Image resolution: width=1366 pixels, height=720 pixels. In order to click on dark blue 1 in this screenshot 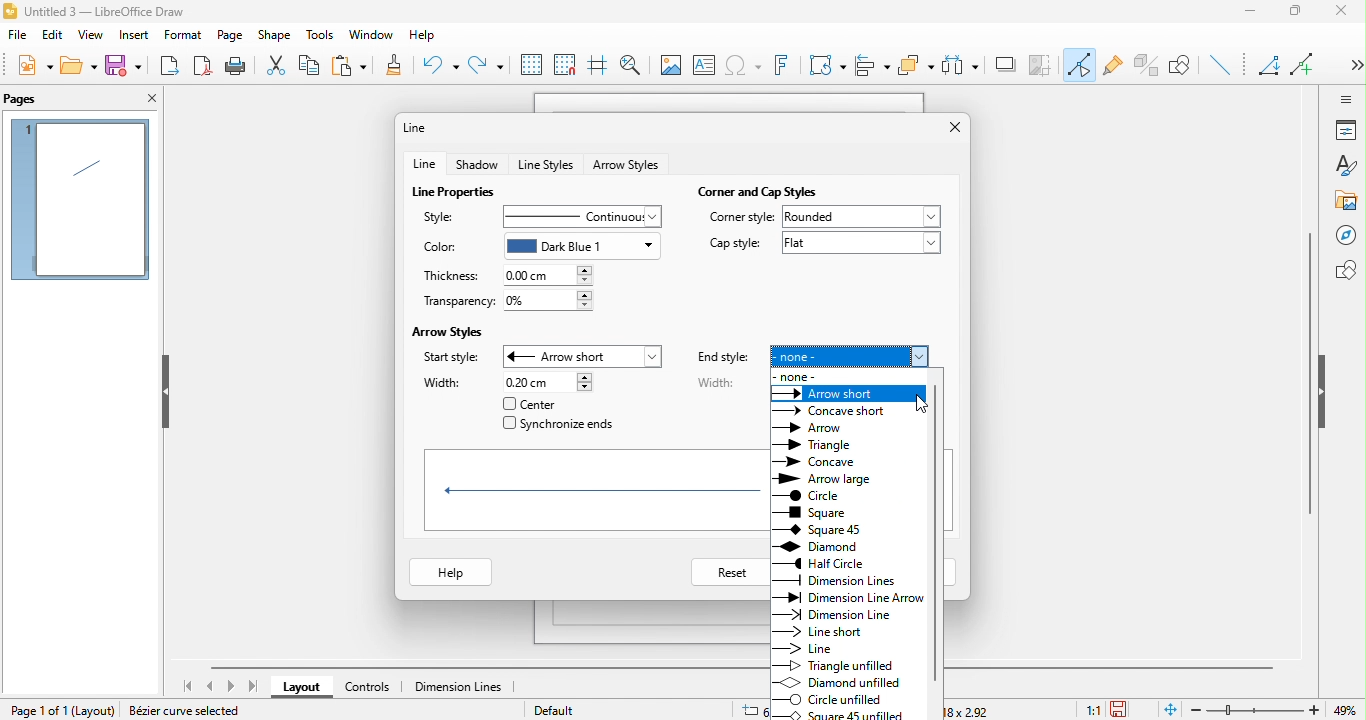, I will do `click(584, 246)`.